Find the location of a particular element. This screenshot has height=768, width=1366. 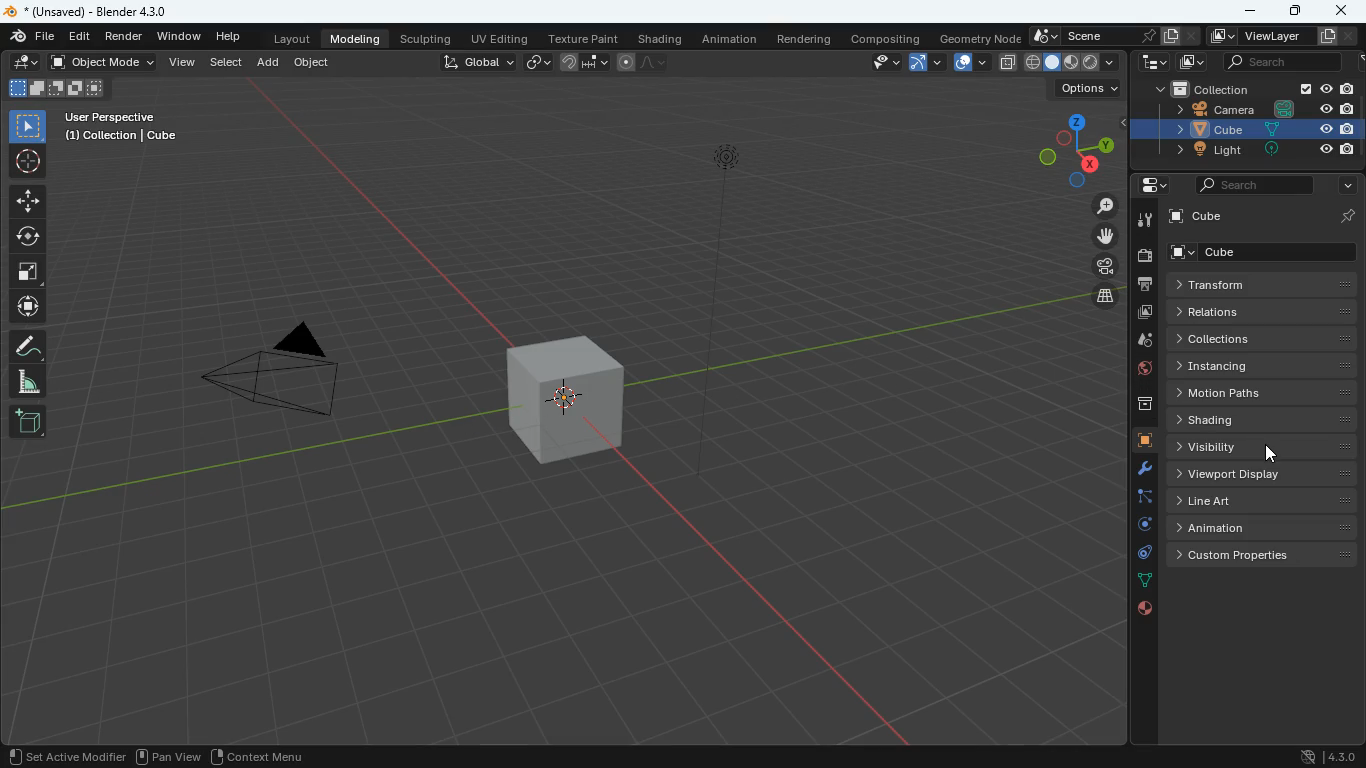

move is located at coordinates (26, 306).